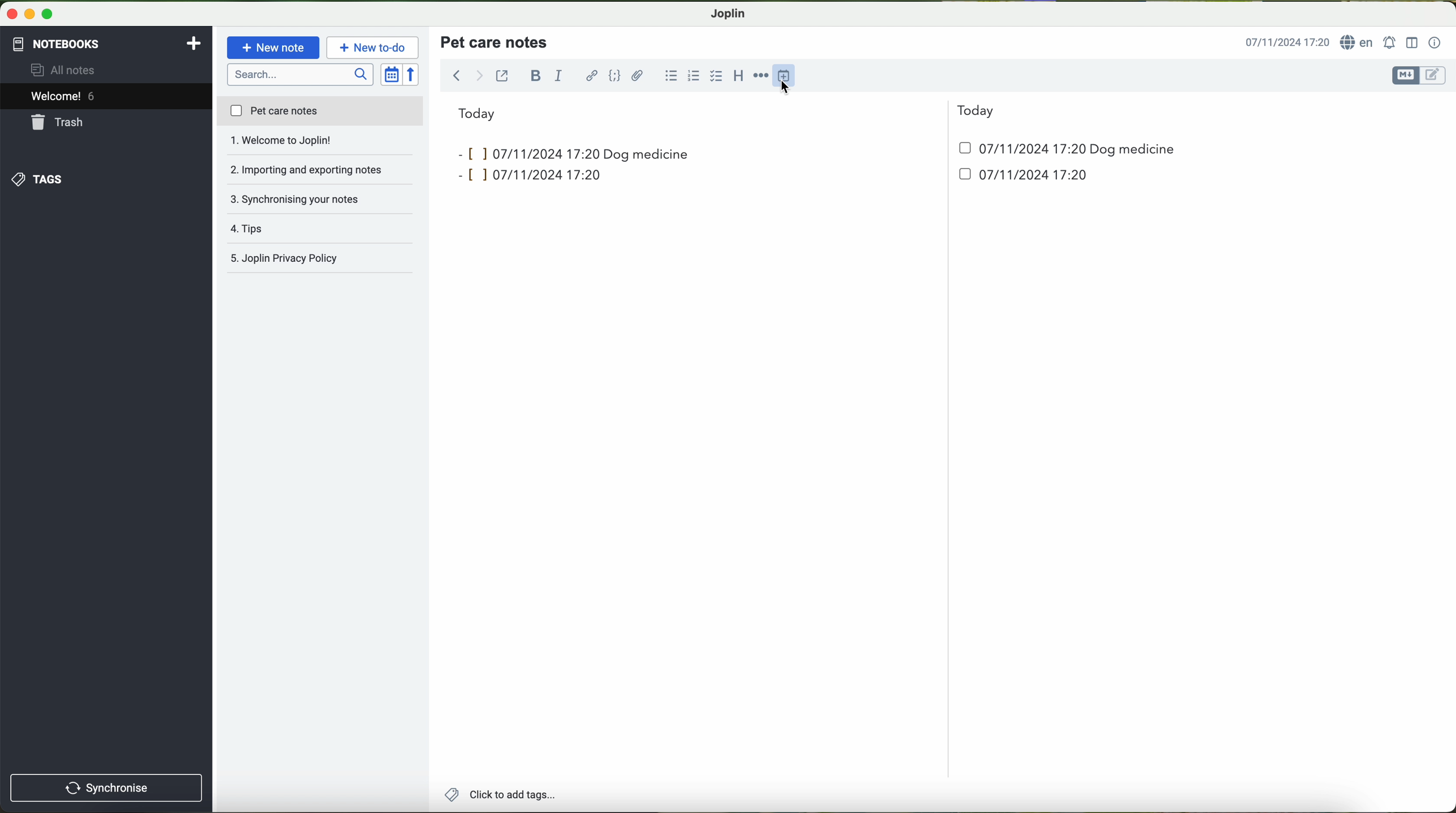 This screenshot has height=813, width=1456. I want to click on screen buttons, so click(28, 15).